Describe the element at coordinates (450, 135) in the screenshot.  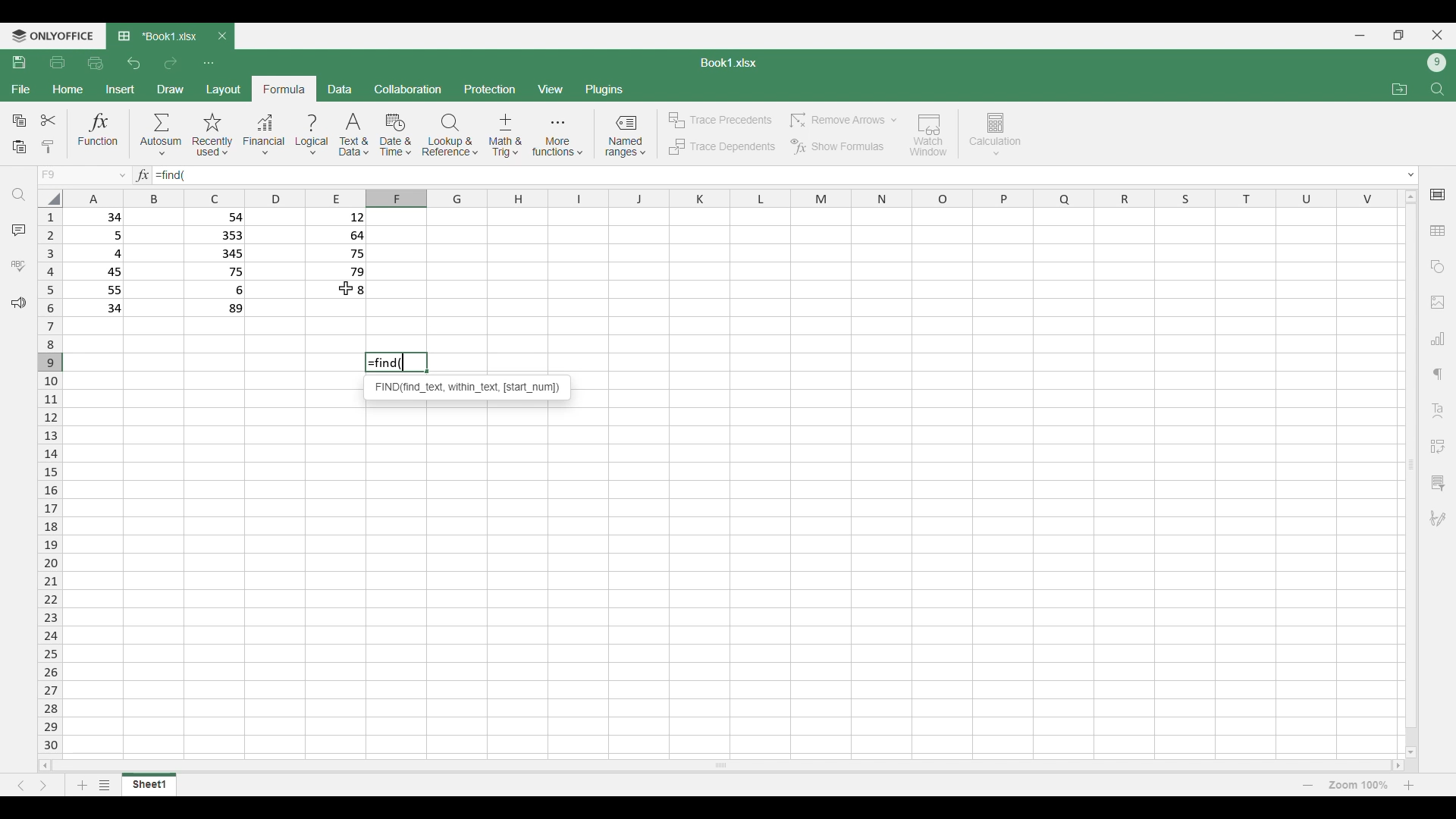
I see `Lookup and reference` at that location.